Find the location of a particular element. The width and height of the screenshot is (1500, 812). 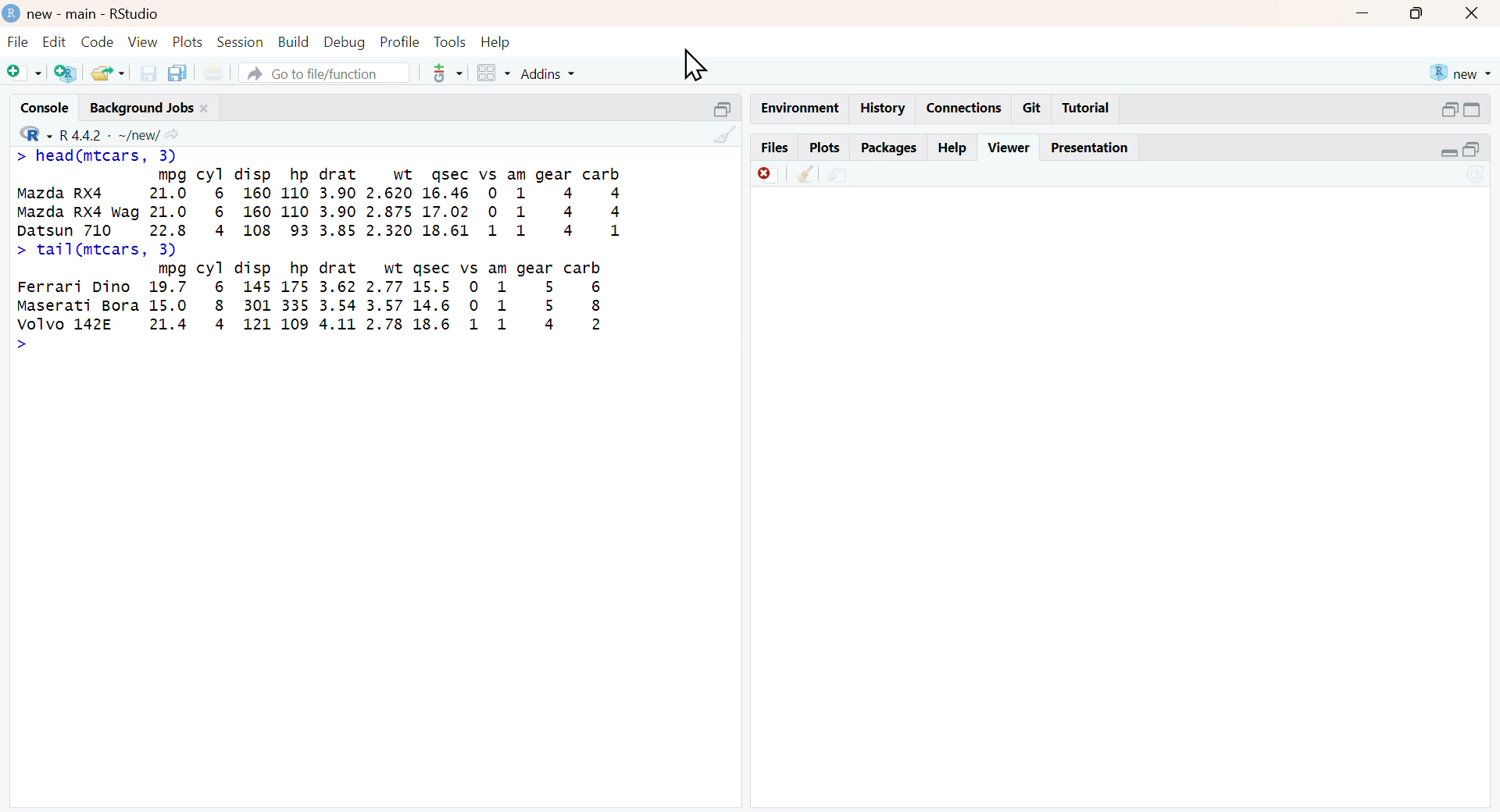

minimize/maximize is located at coordinates (1462, 109).